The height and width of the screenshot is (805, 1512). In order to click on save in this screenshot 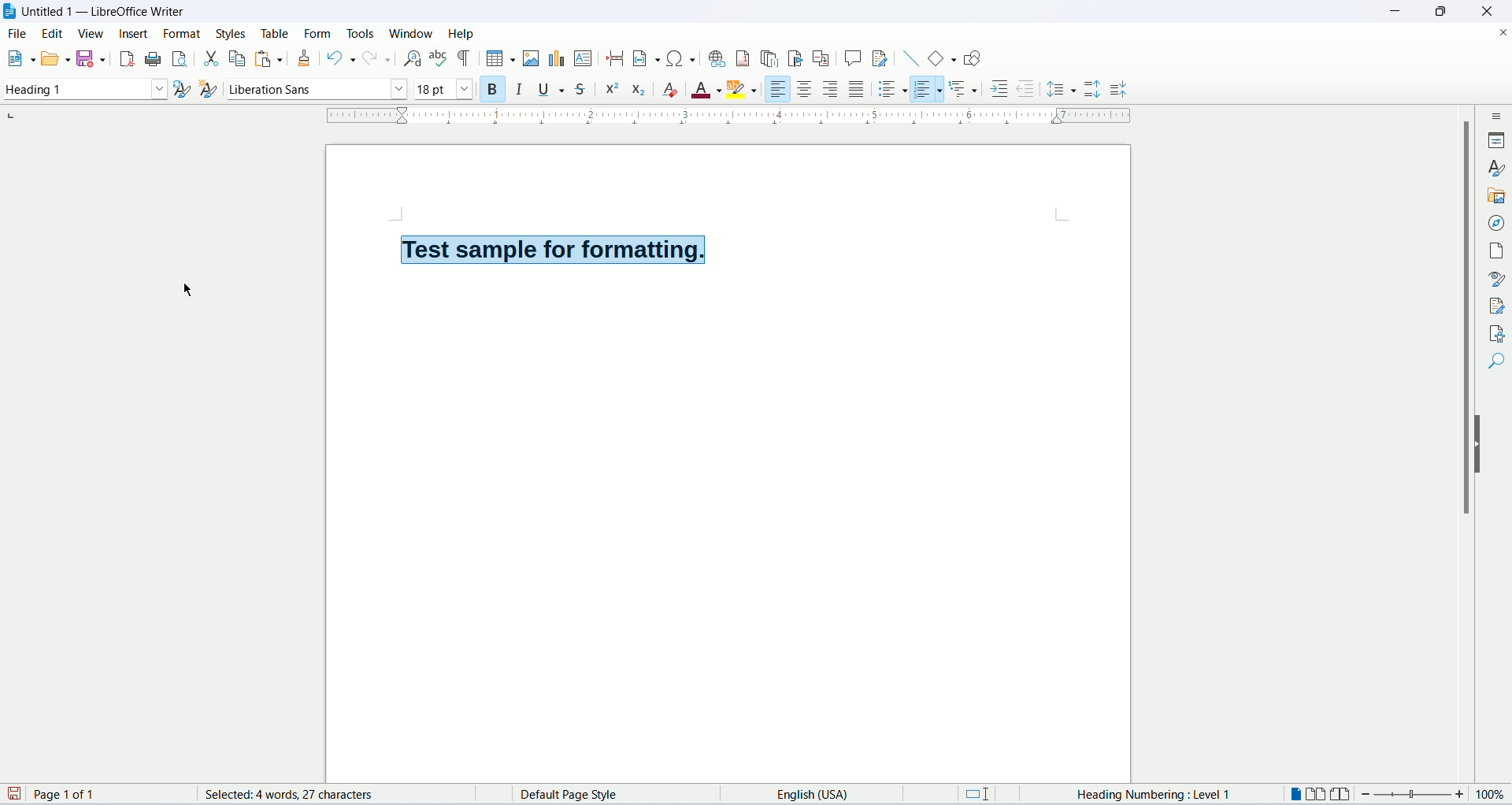, I will do `click(92, 59)`.